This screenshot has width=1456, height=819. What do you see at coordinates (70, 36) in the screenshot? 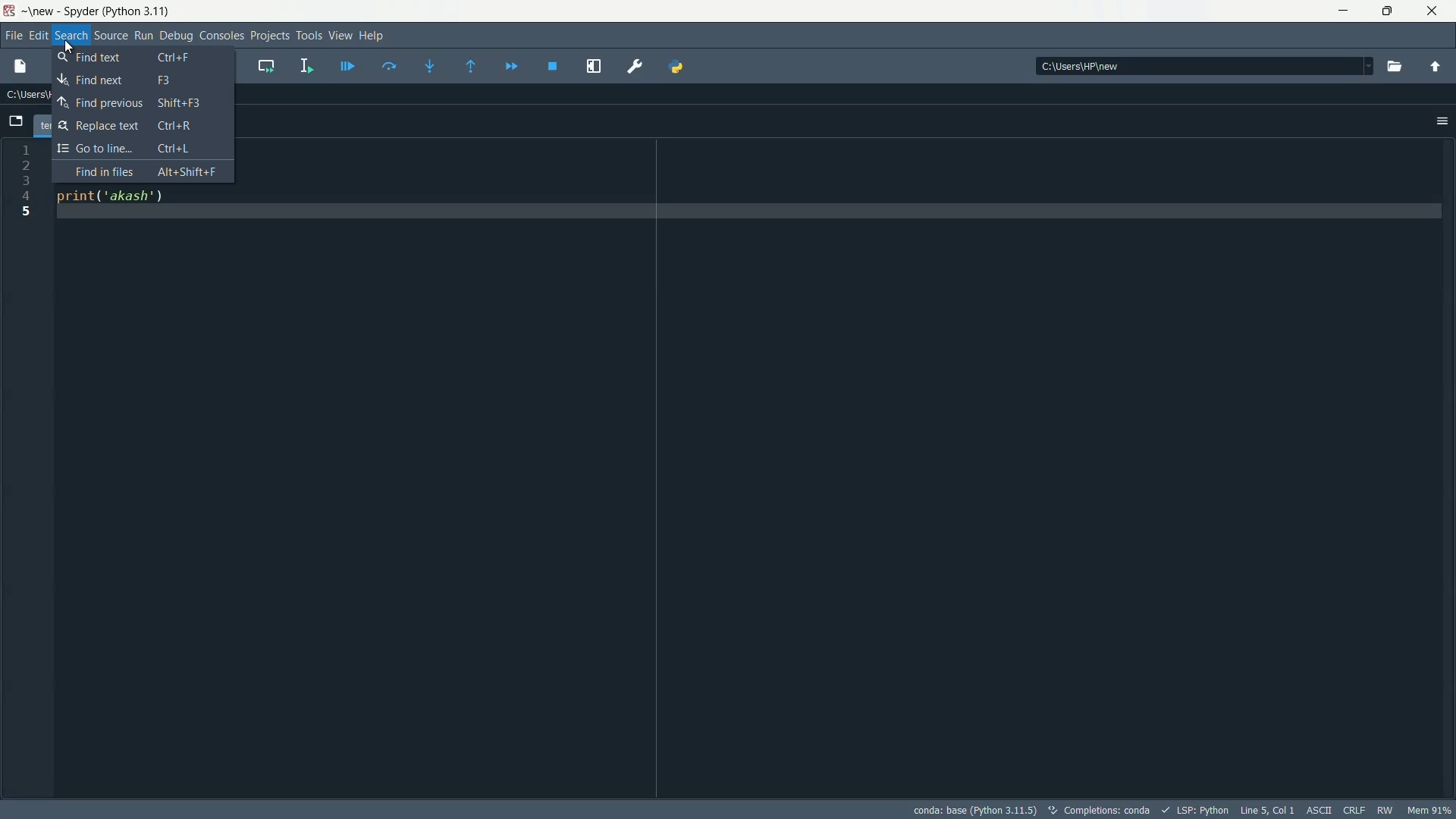
I see `search menu` at bounding box center [70, 36].